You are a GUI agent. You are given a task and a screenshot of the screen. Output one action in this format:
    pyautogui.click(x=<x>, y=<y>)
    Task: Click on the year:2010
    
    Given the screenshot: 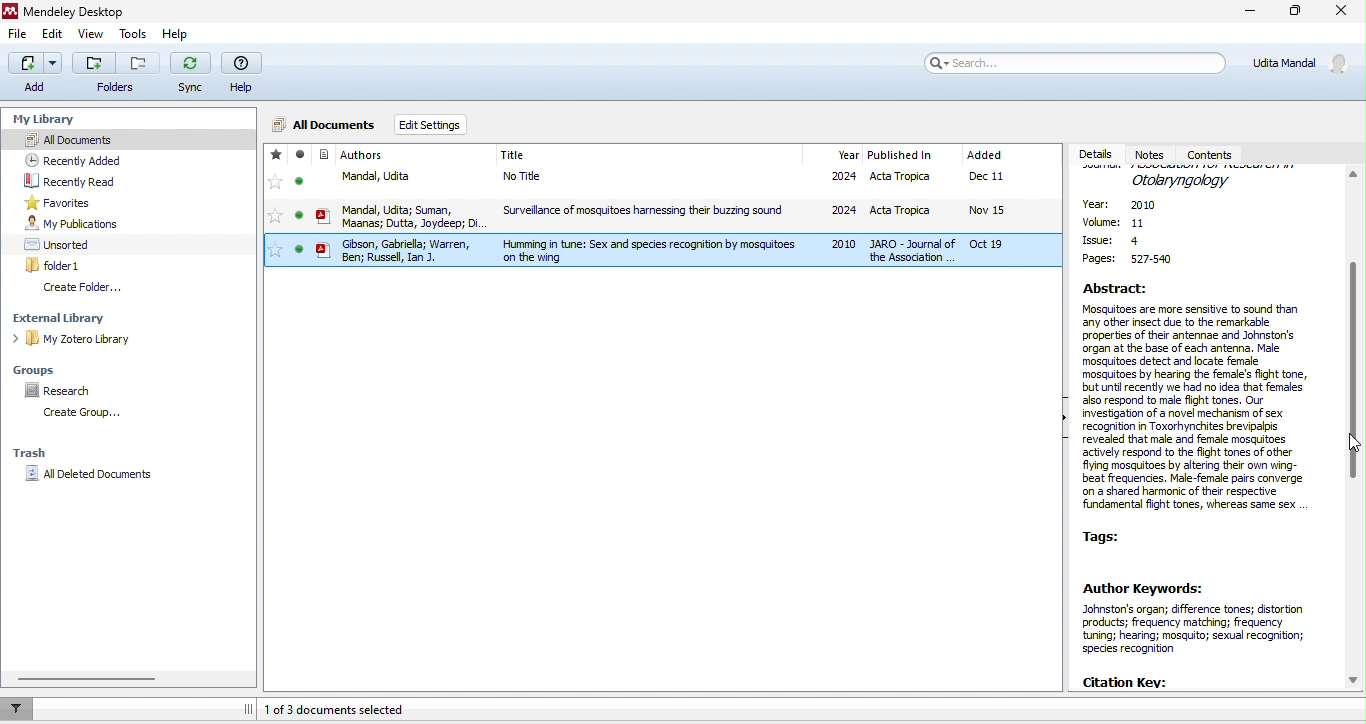 What is the action you would take?
    pyautogui.click(x=1129, y=206)
    